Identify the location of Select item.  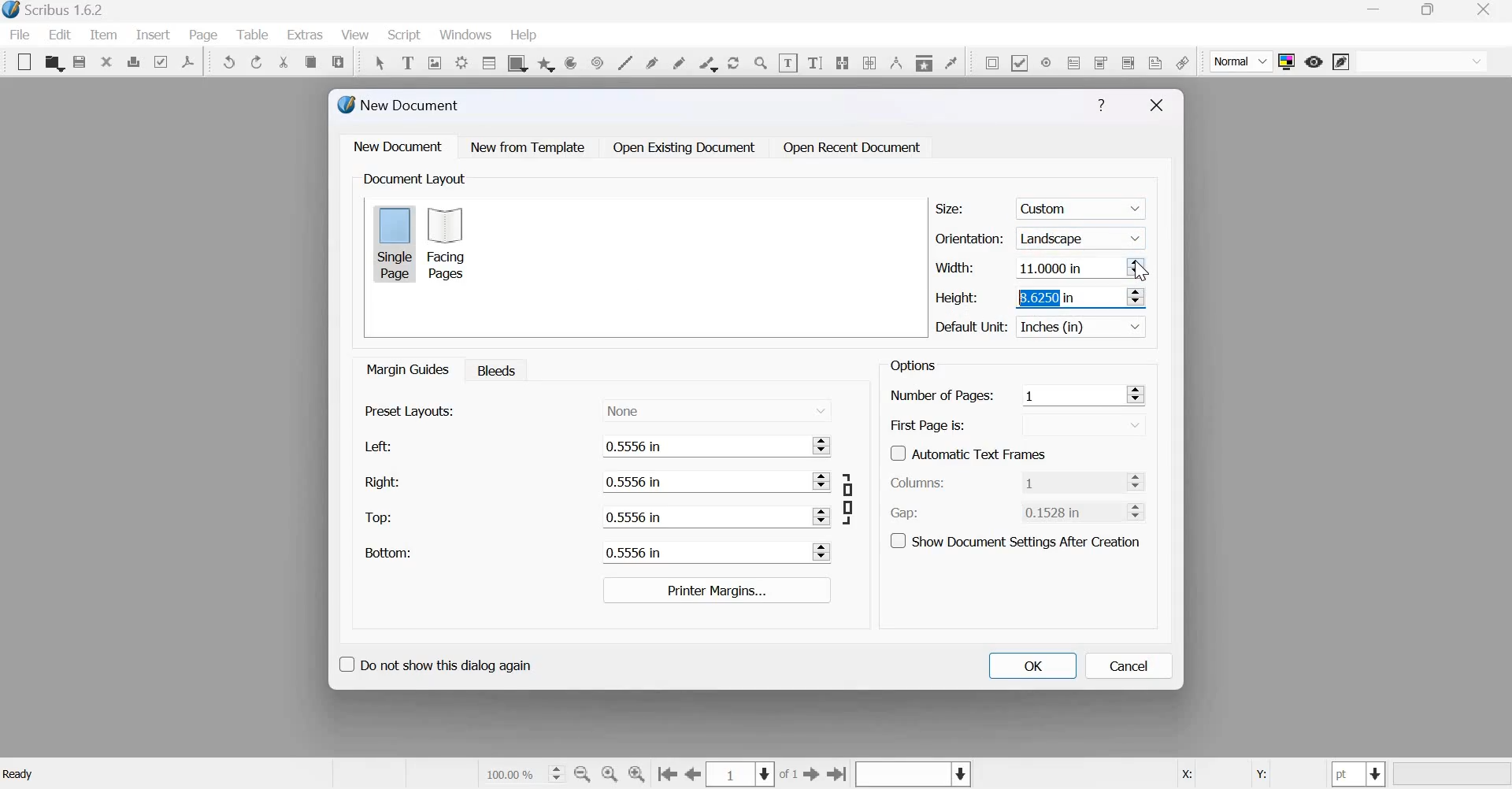
(380, 61).